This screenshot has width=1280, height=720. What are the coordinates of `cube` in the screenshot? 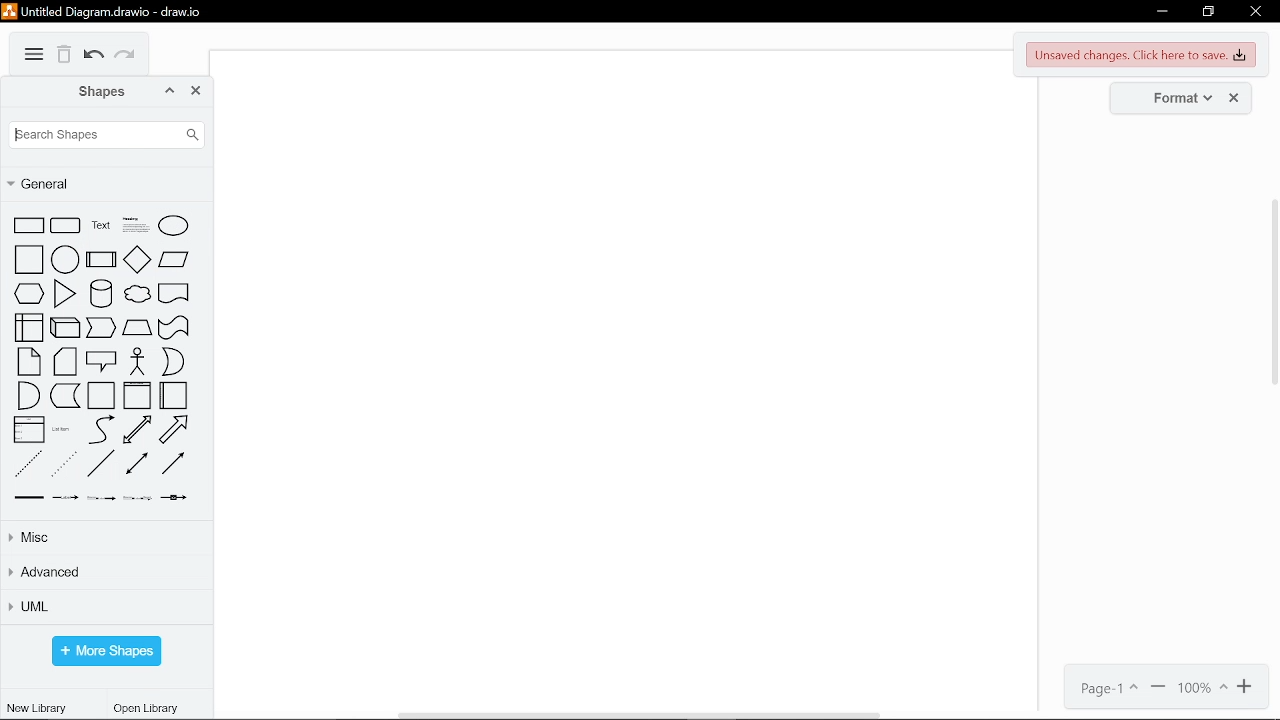 It's located at (65, 328).